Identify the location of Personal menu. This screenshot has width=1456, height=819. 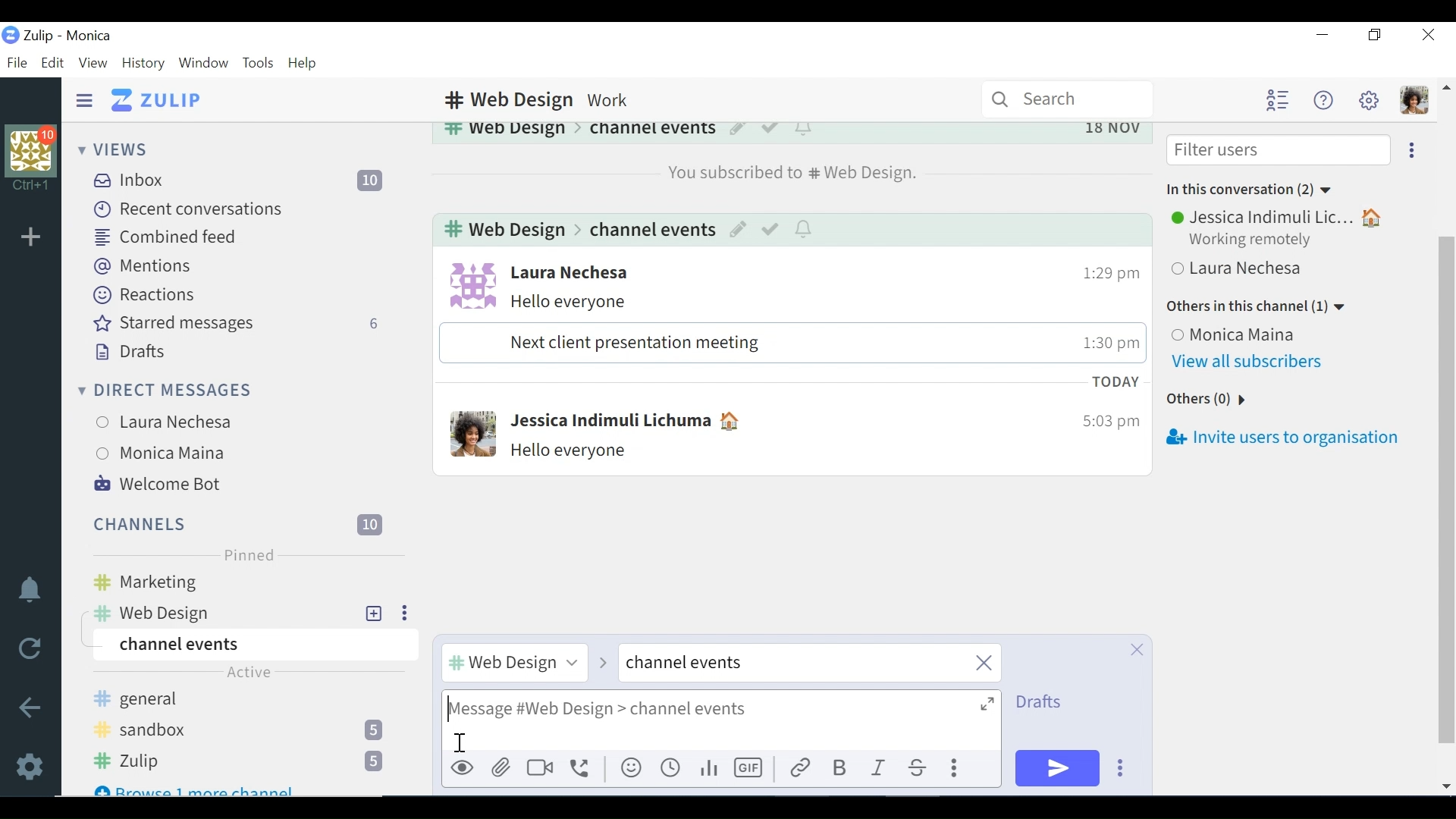
(1413, 101).